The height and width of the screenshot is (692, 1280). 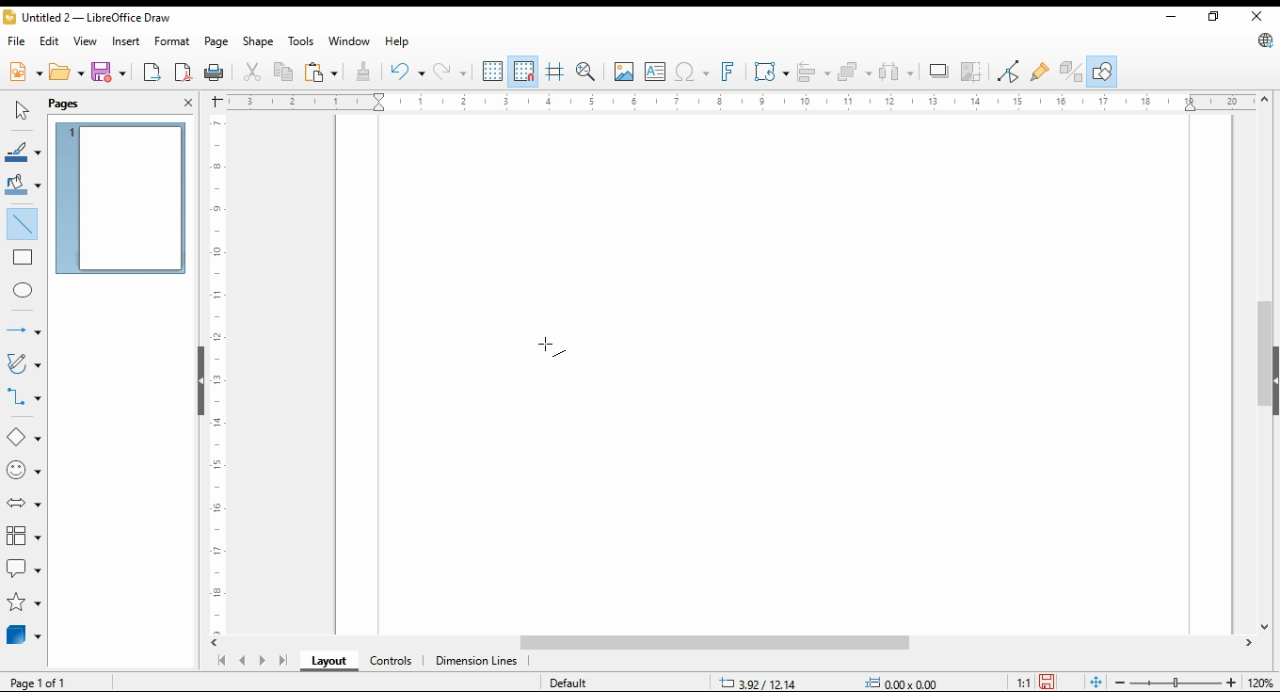 I want to click on minimize, so click(x=1174, y=13).